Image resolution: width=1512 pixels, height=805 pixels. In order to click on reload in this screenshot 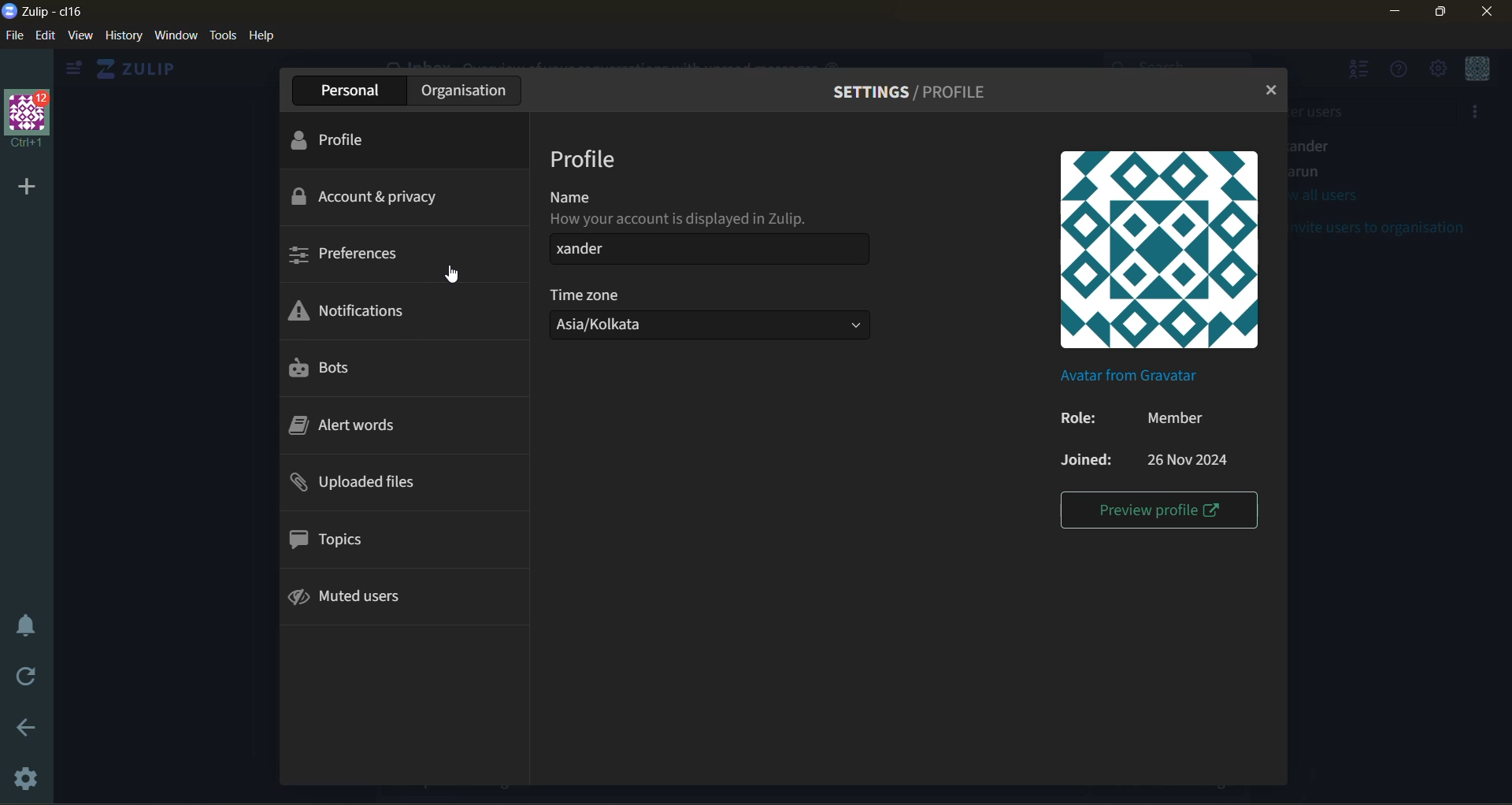, I will do `click(20, 678)`.